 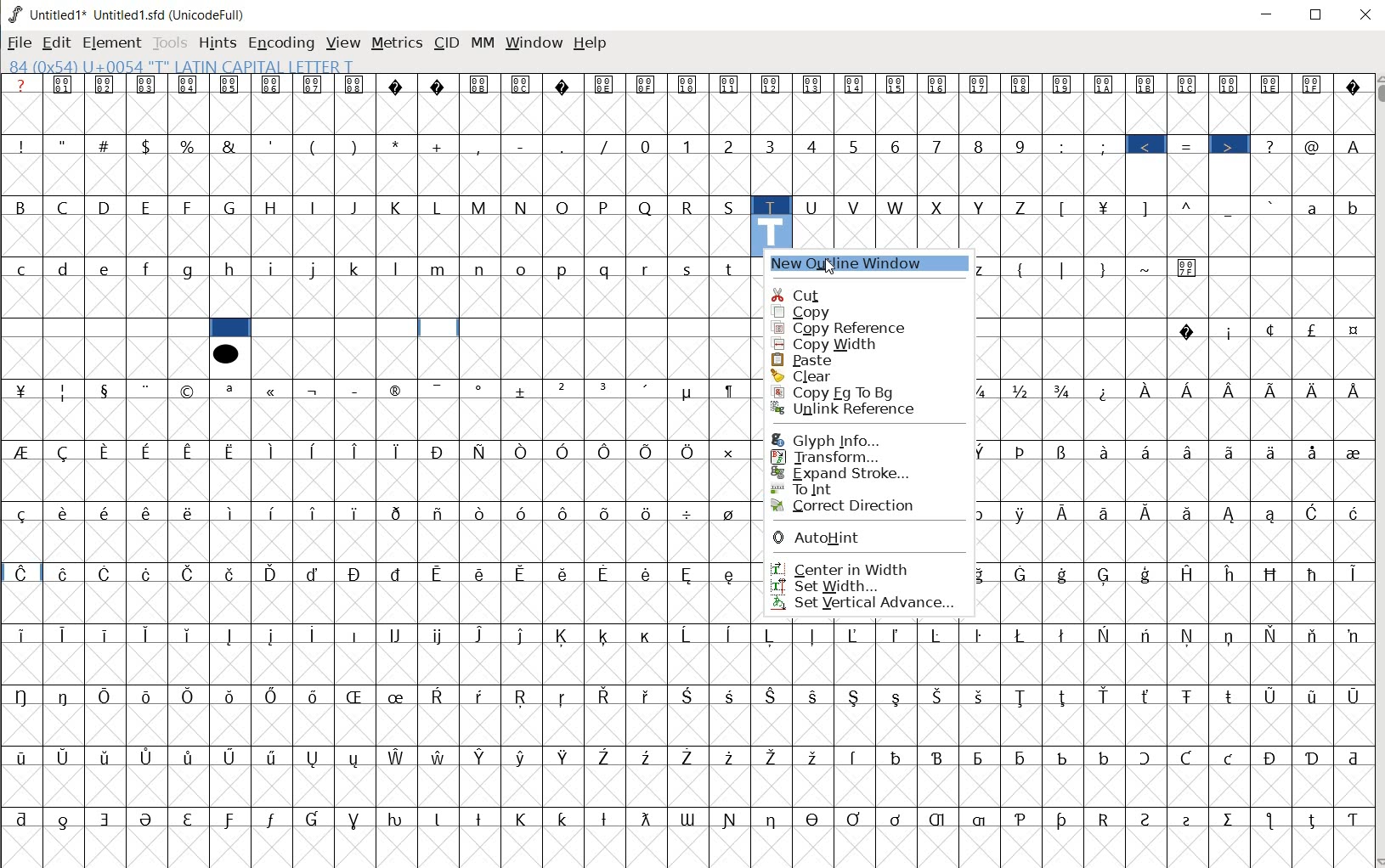 I want to click on Symbol, so click(x=1108, y=513).